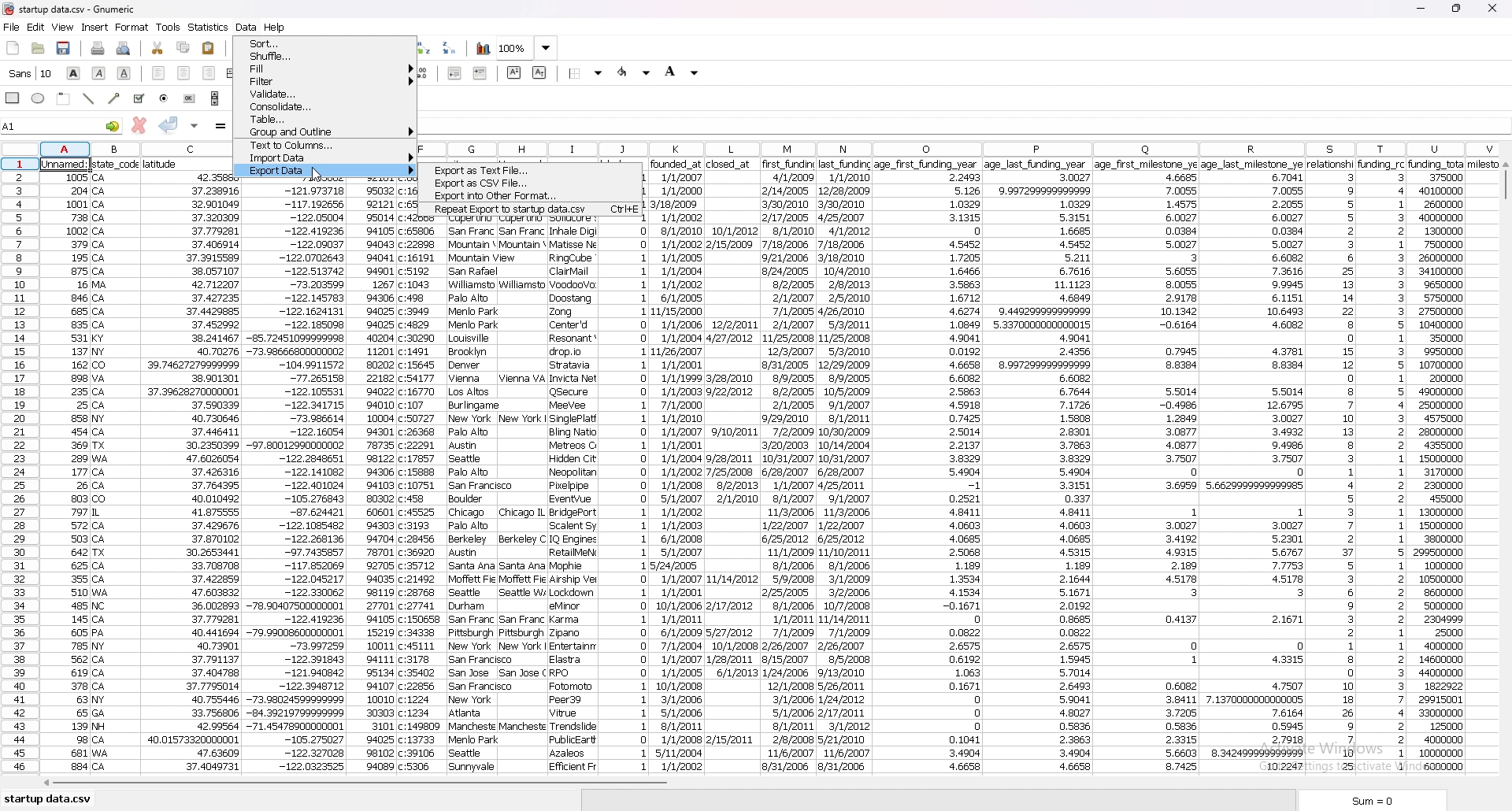 This screenshot has height=811, width=1512. I want to click on shuffle, so click(326, 56).